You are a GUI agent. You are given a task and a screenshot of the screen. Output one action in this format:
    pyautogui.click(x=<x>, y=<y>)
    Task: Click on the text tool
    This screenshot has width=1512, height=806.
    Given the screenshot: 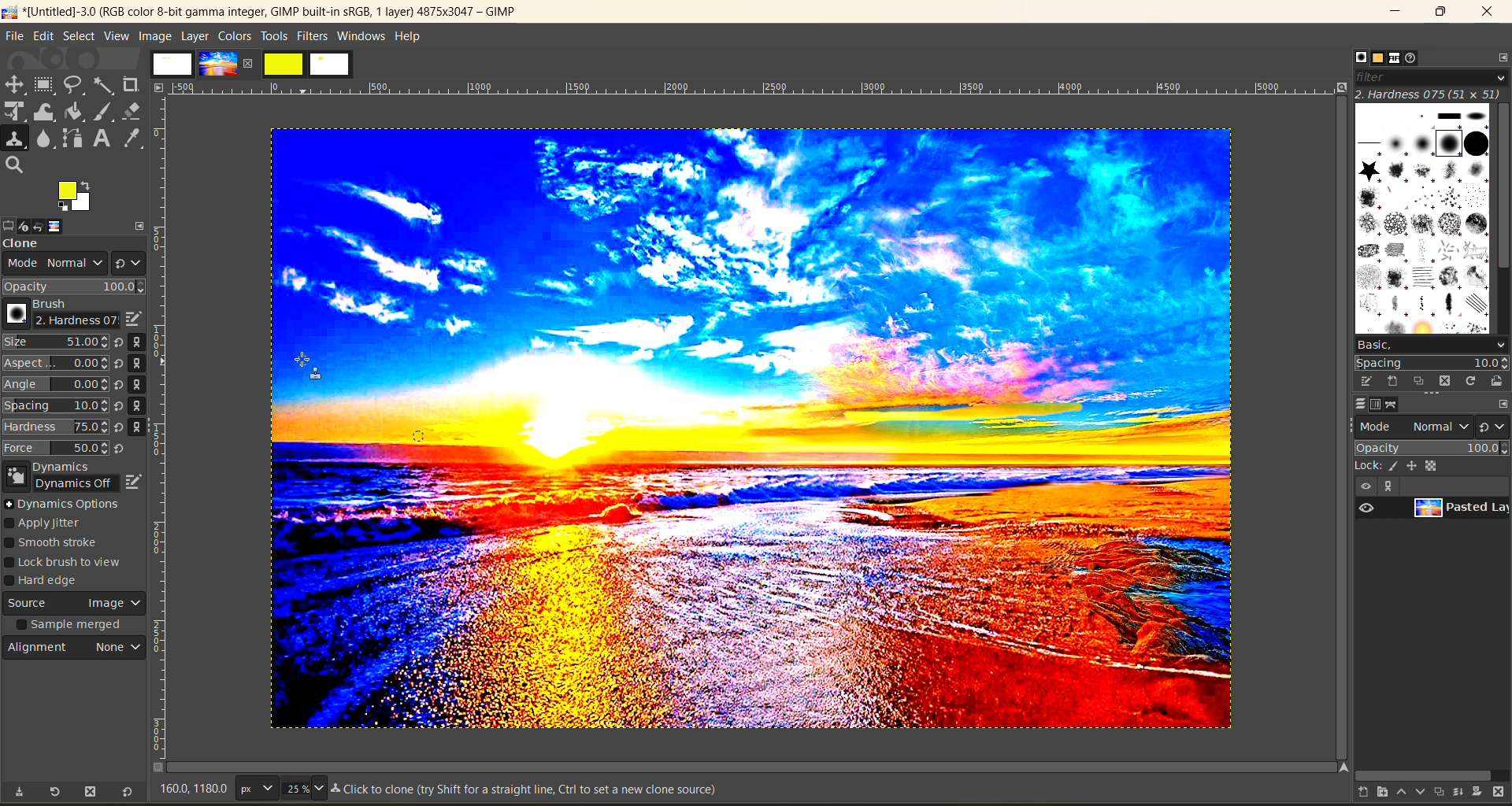 What is the action you would take?
    pyautogui.click(x=103, y=139)
    